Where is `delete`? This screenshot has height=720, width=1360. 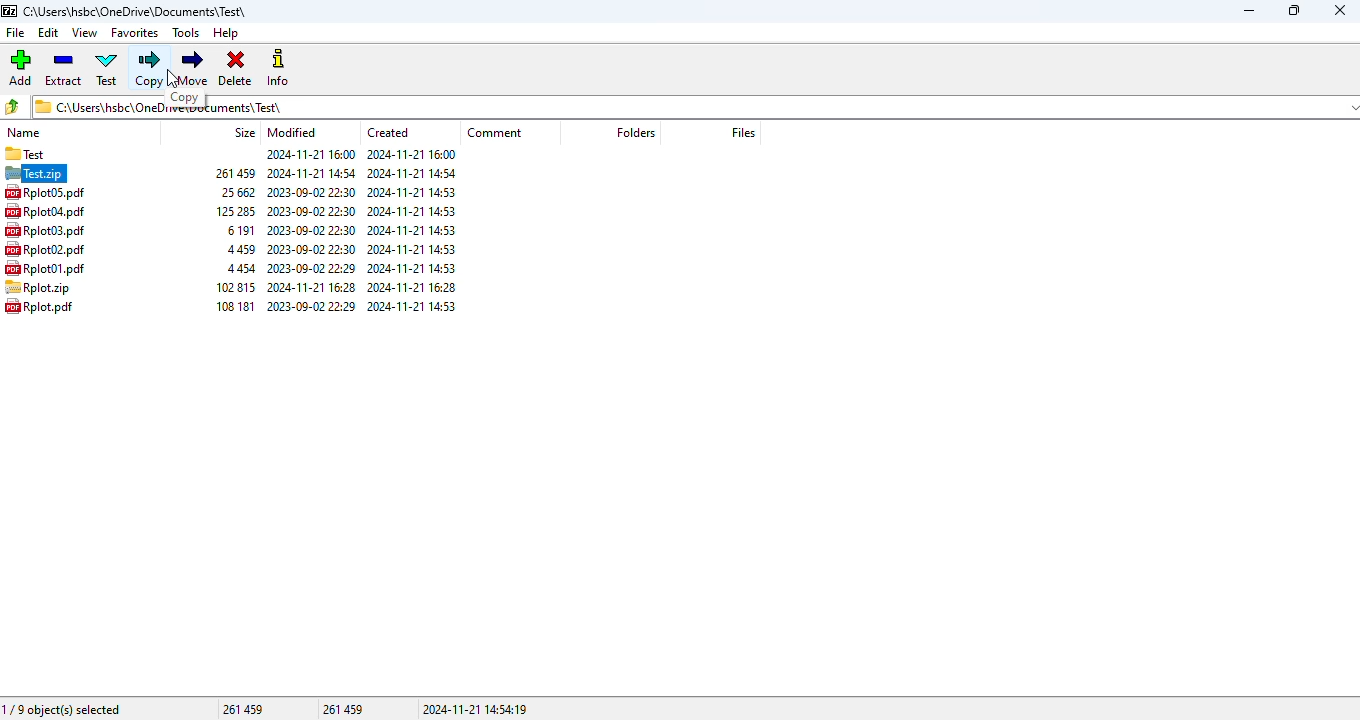
delete is located at coordinates (236, 69).